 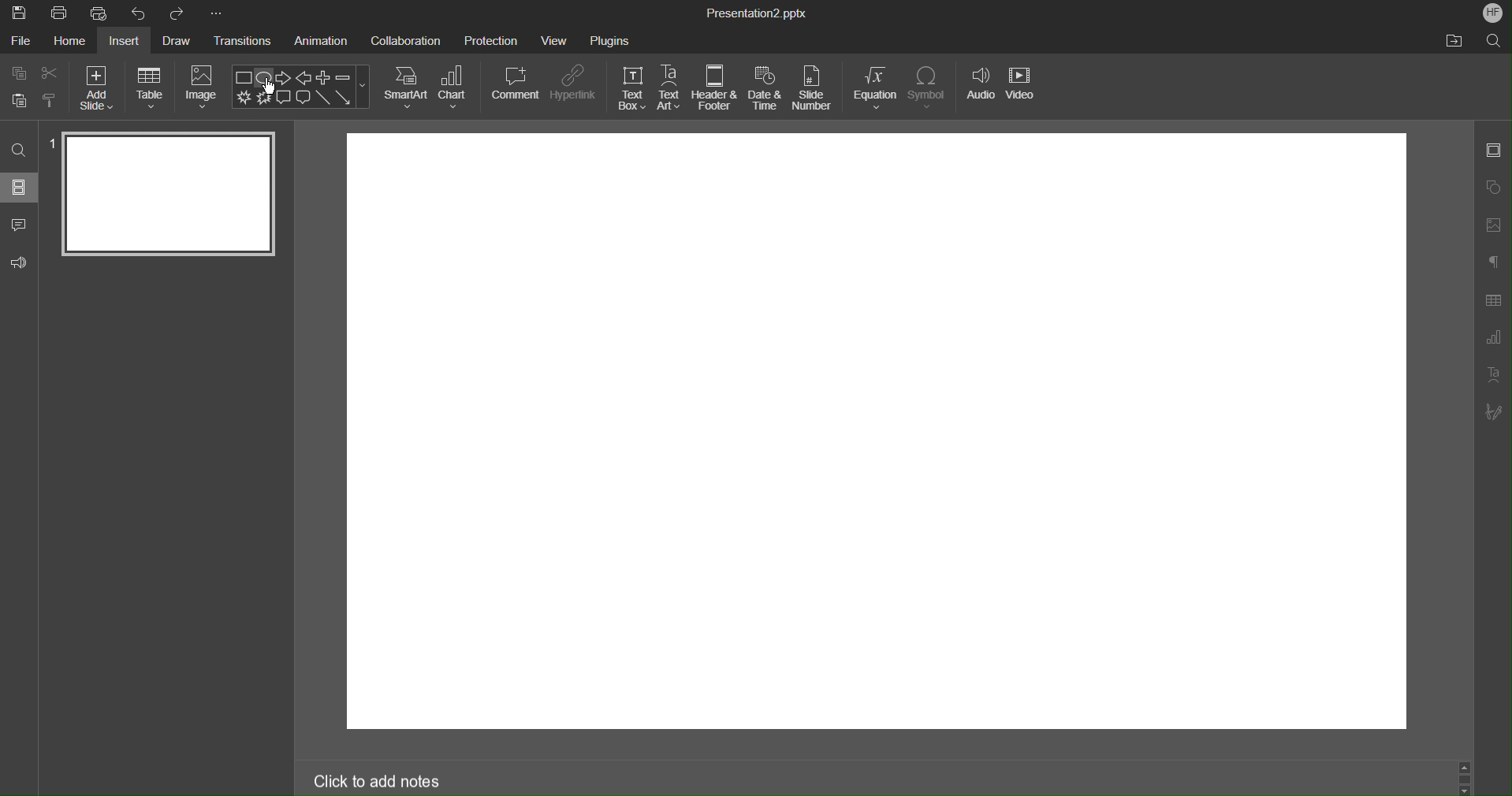 I want to click on , so click(x=20, y=99).